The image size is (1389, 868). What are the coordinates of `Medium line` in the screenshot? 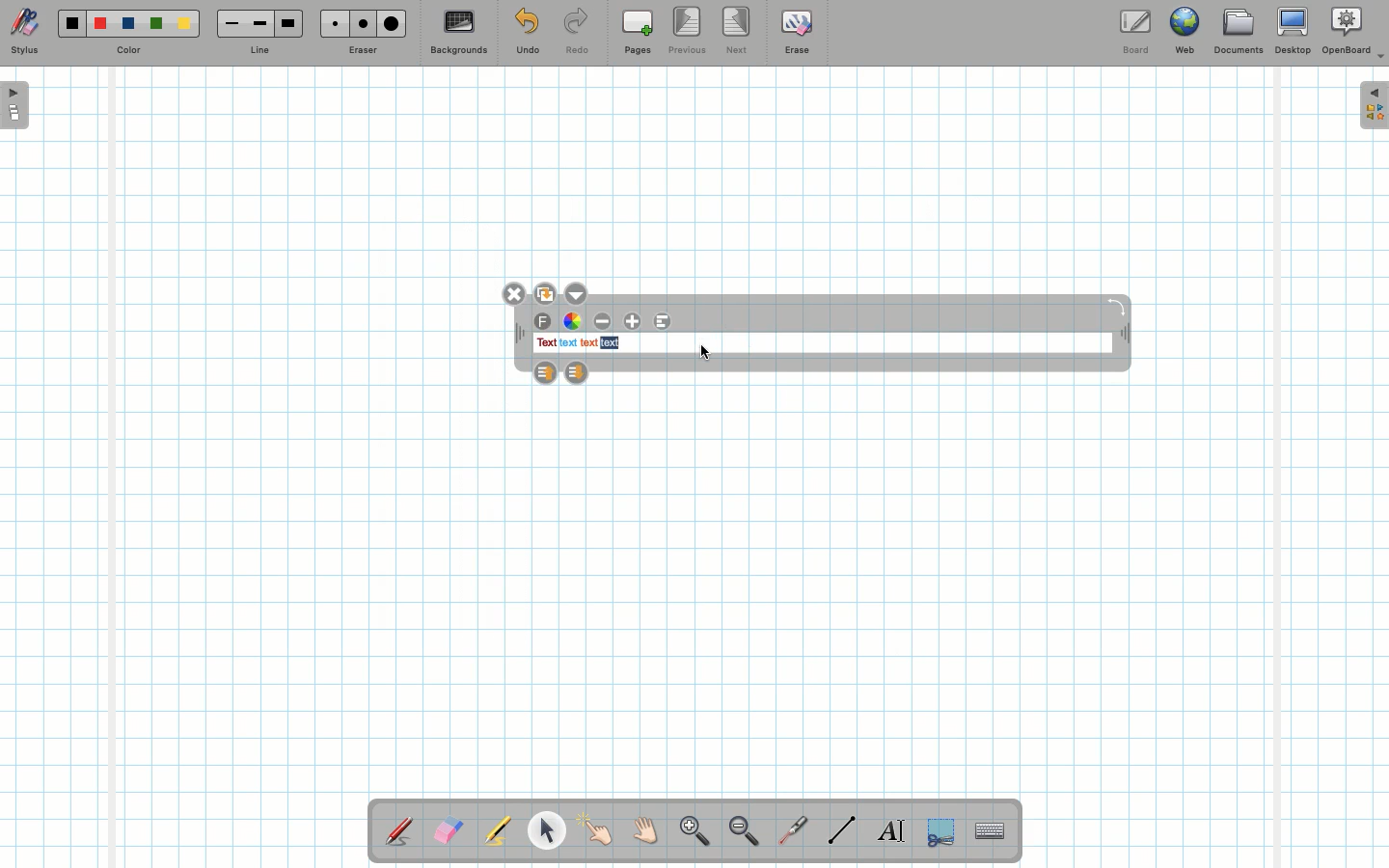 It's located at (259, 23).